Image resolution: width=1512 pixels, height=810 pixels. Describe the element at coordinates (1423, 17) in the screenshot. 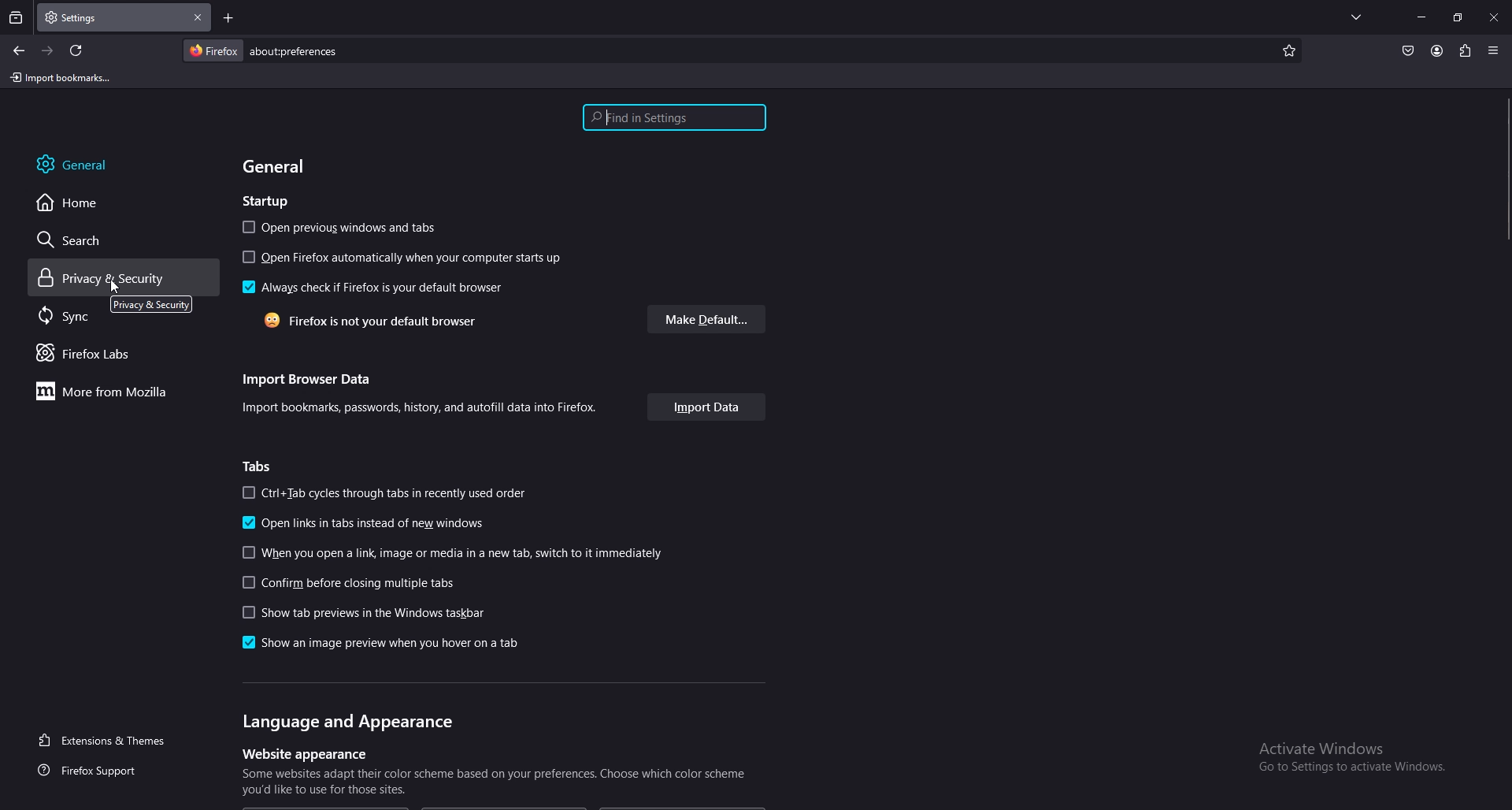

I see `minimize` at that location.